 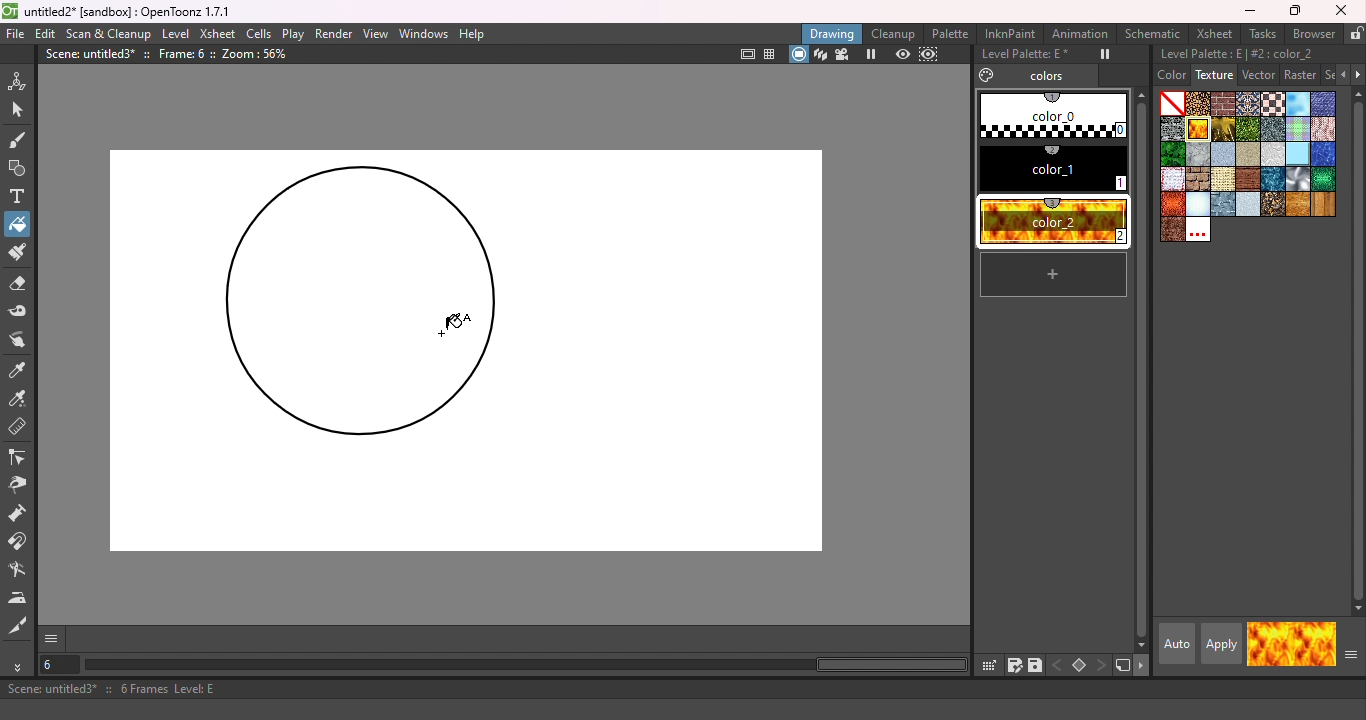 I want to click on papercrump.bmp, so click(x=1273, y=153).